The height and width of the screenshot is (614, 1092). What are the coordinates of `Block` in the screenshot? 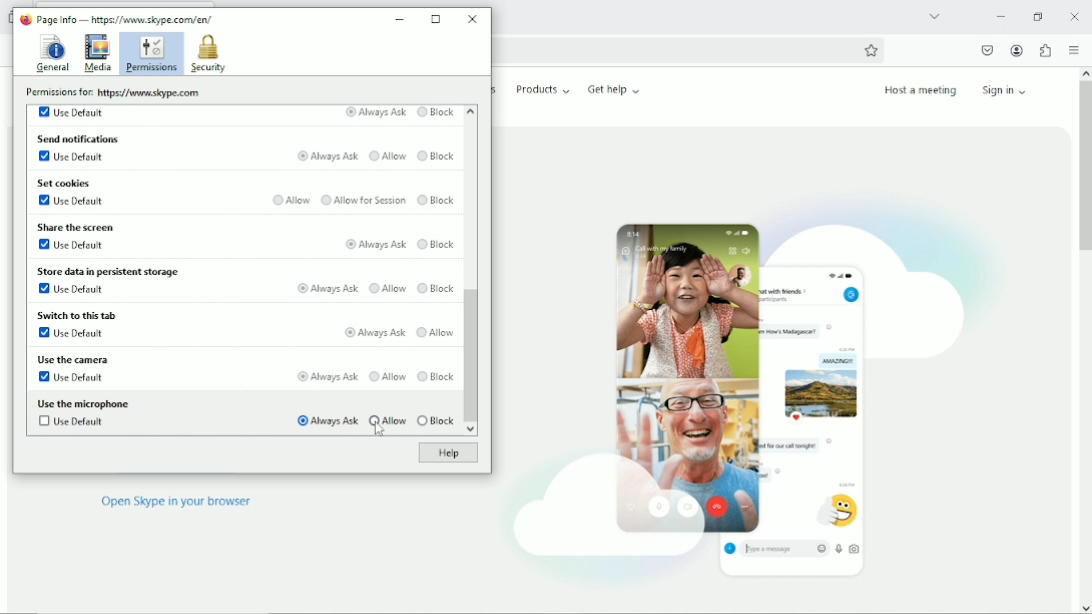 It's located at (438, 286).